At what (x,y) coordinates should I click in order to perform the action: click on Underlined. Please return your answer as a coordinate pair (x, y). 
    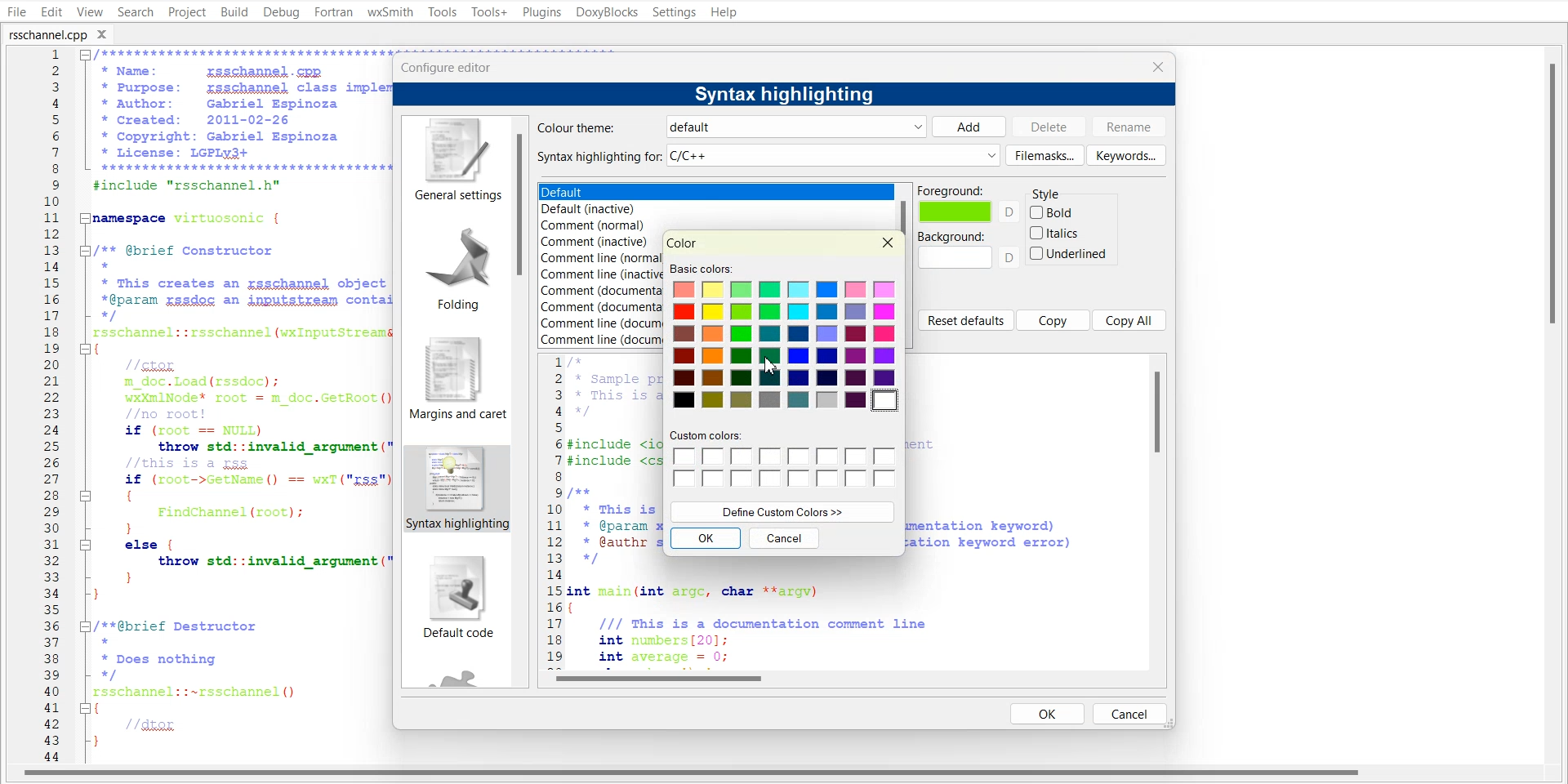
    Looking at the image, I should click on (1069, 253).